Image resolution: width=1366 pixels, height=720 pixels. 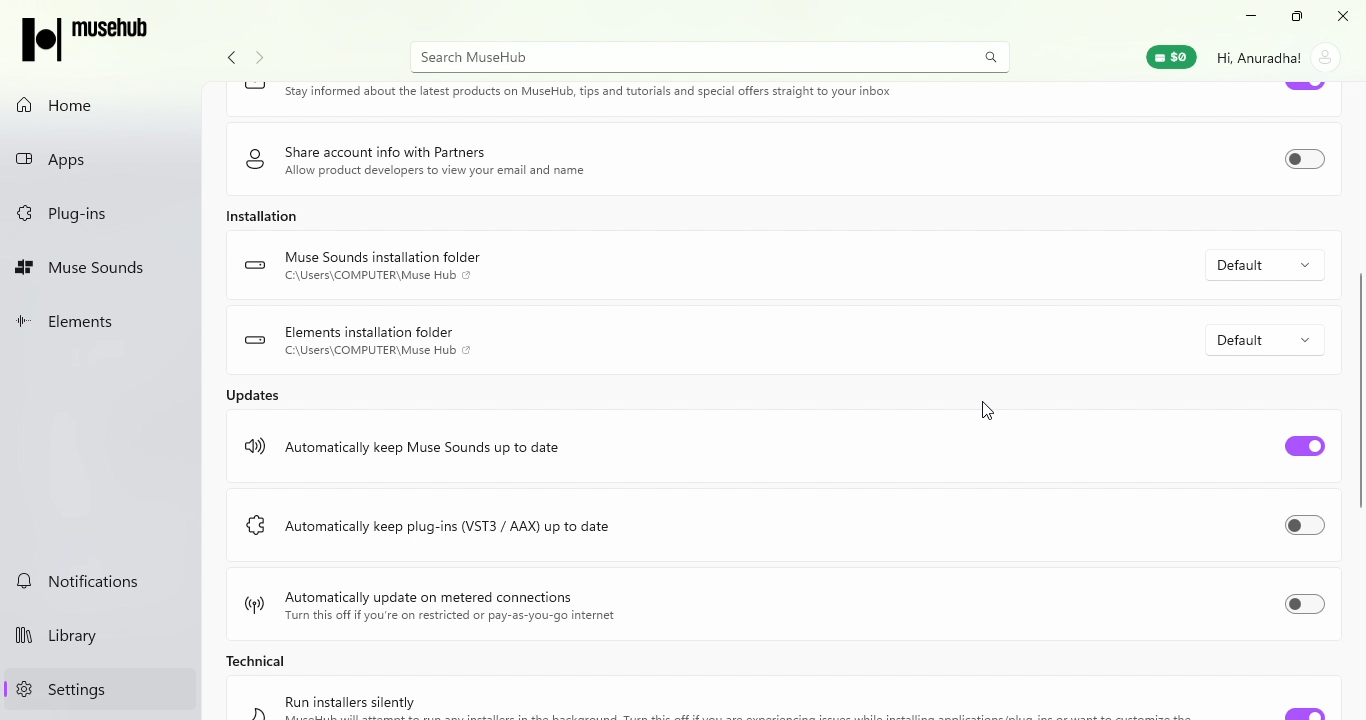 What do you see at coordinates (252, 602) in the screenshot?
I see `logo` at bounding box center [252, 602].